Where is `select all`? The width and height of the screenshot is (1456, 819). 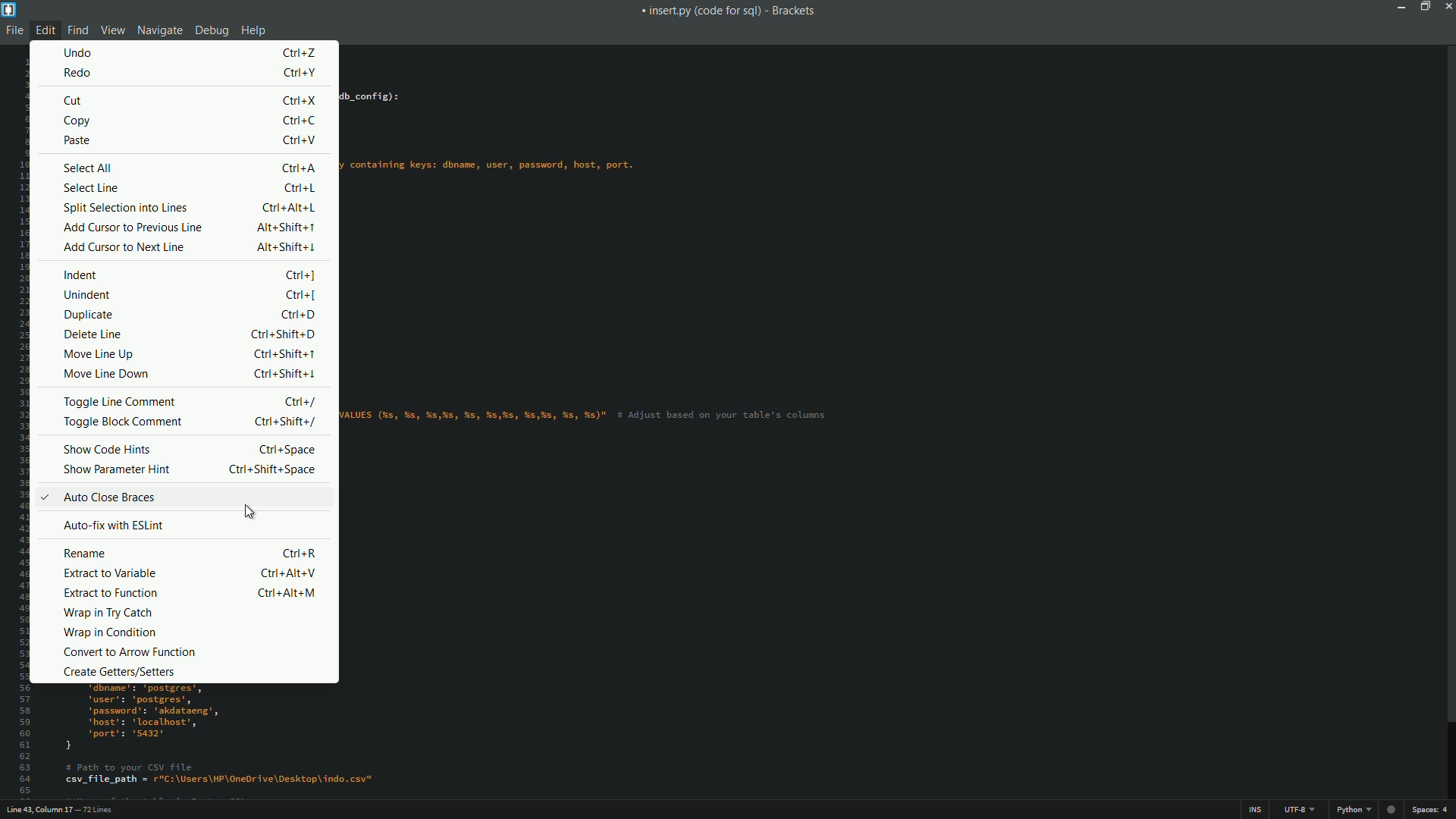
select all is located at coordinates (89, 168).